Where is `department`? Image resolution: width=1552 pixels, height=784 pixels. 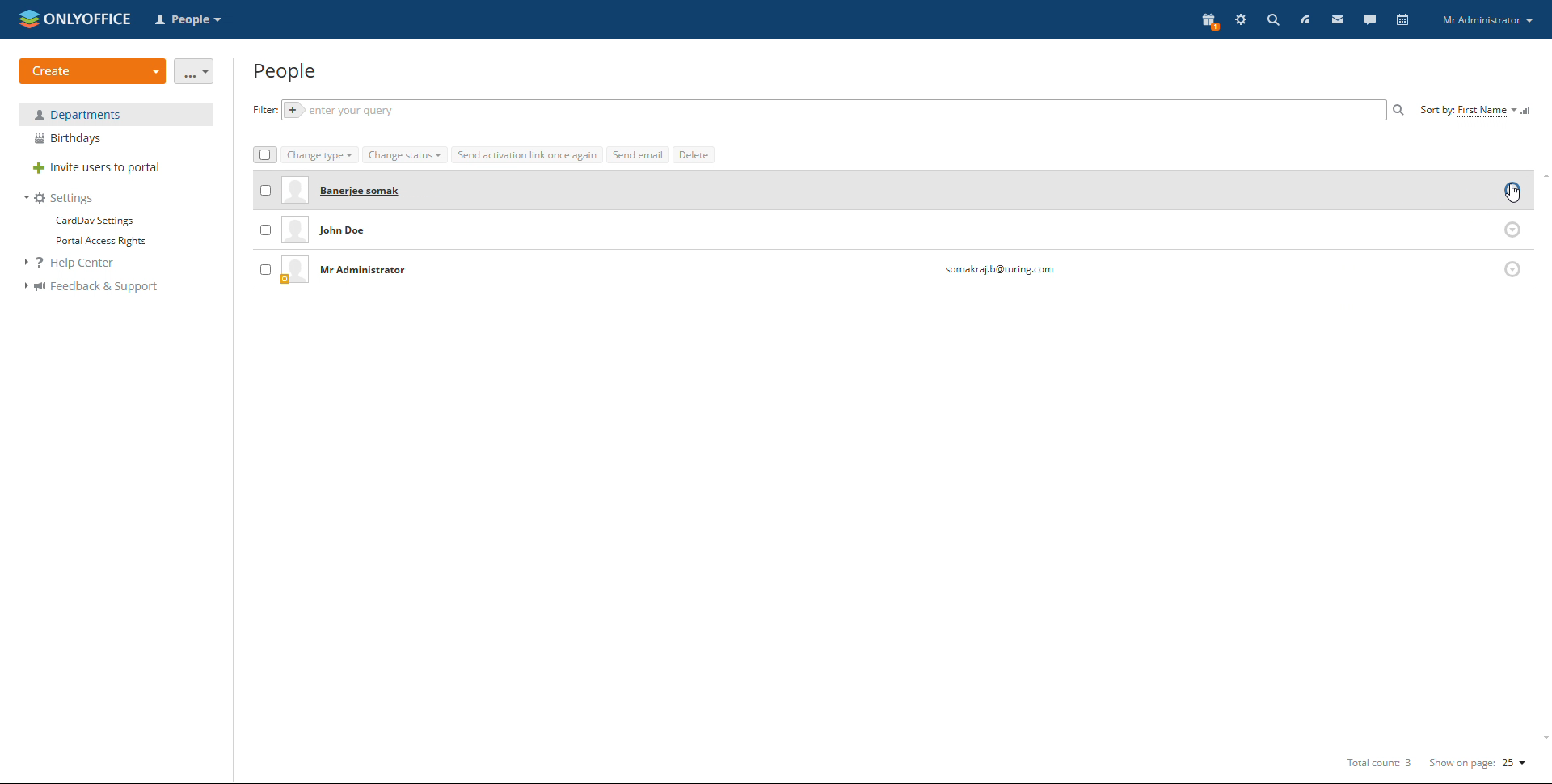
department is located at coordinates (116, 114).